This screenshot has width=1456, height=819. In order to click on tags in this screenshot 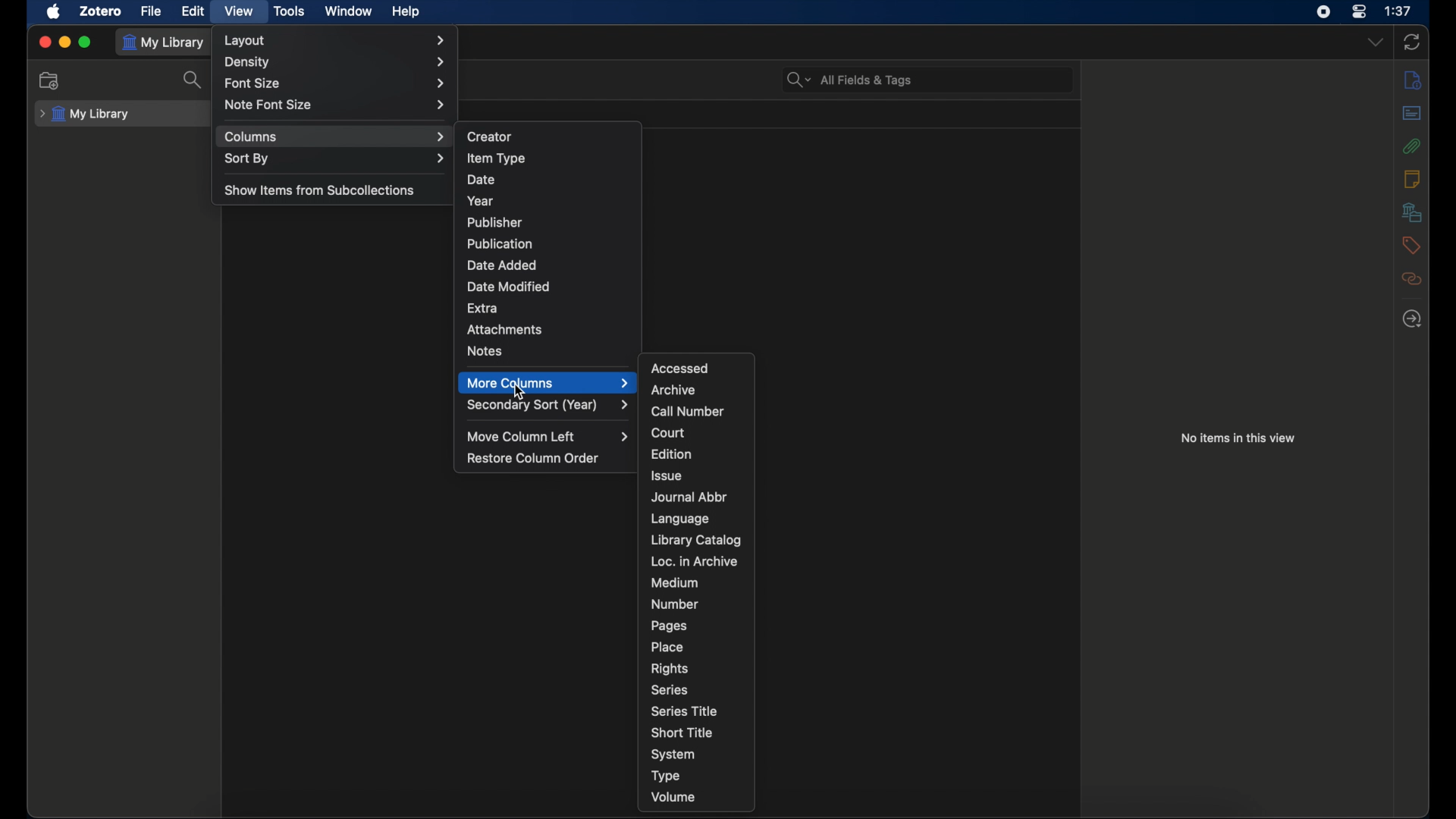, I will do `click(1411, 246)`.